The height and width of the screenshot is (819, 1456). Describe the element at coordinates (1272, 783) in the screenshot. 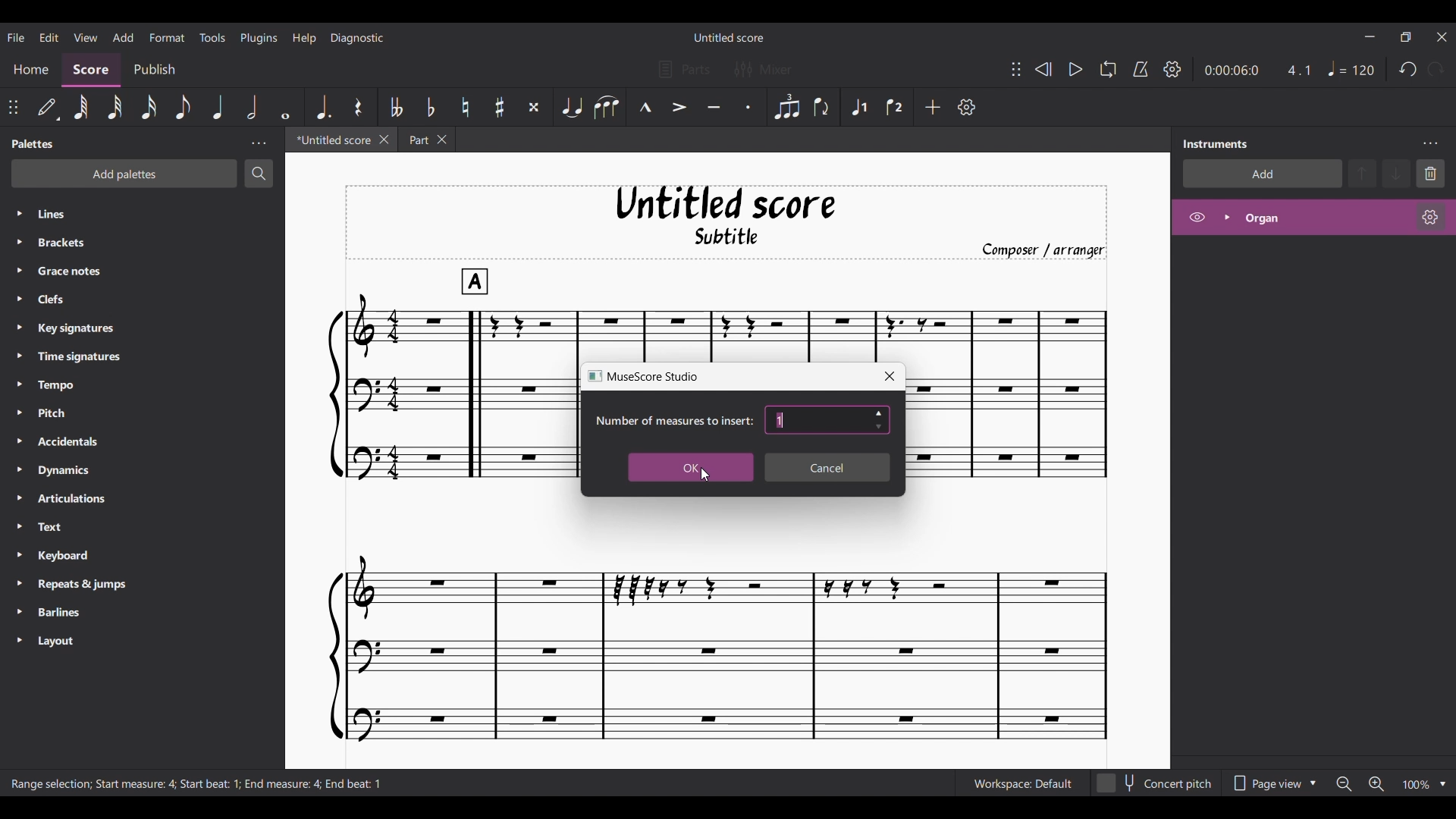

I see `Page view options` at that location.